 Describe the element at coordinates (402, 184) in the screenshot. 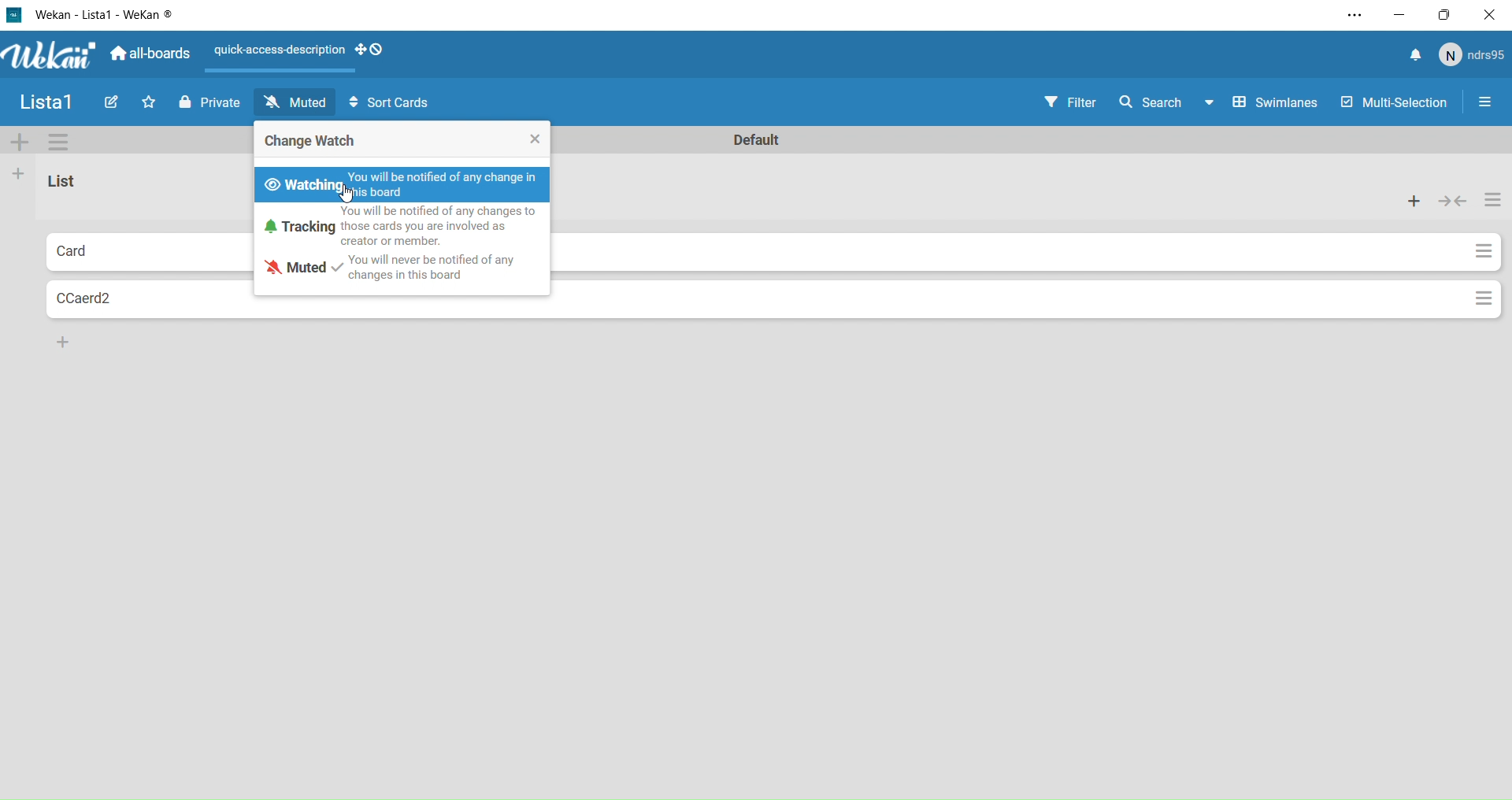

I see `Watching` at that location.